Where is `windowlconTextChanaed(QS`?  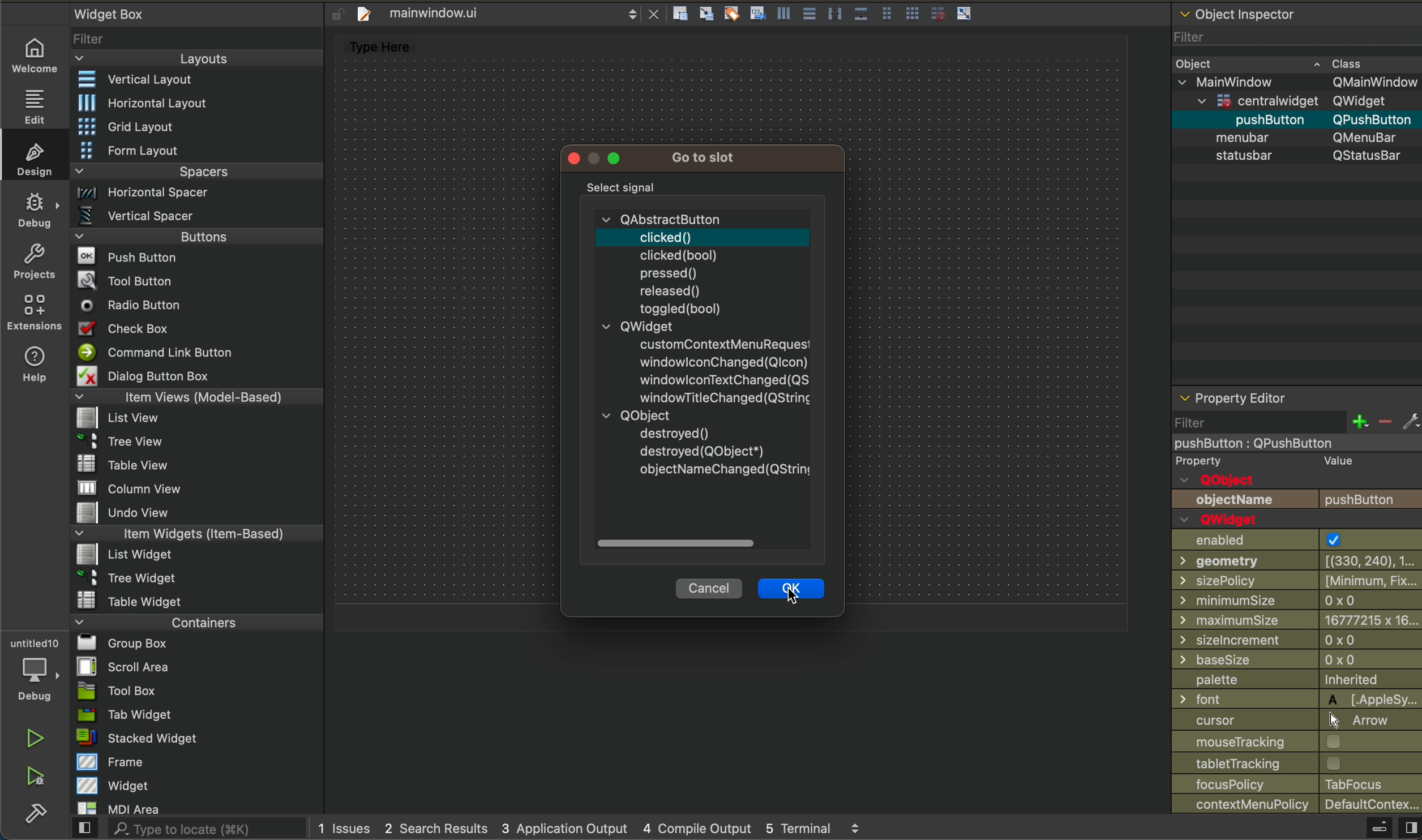
windowlconTextChanaed(QS is located at coordinates (723, 379).